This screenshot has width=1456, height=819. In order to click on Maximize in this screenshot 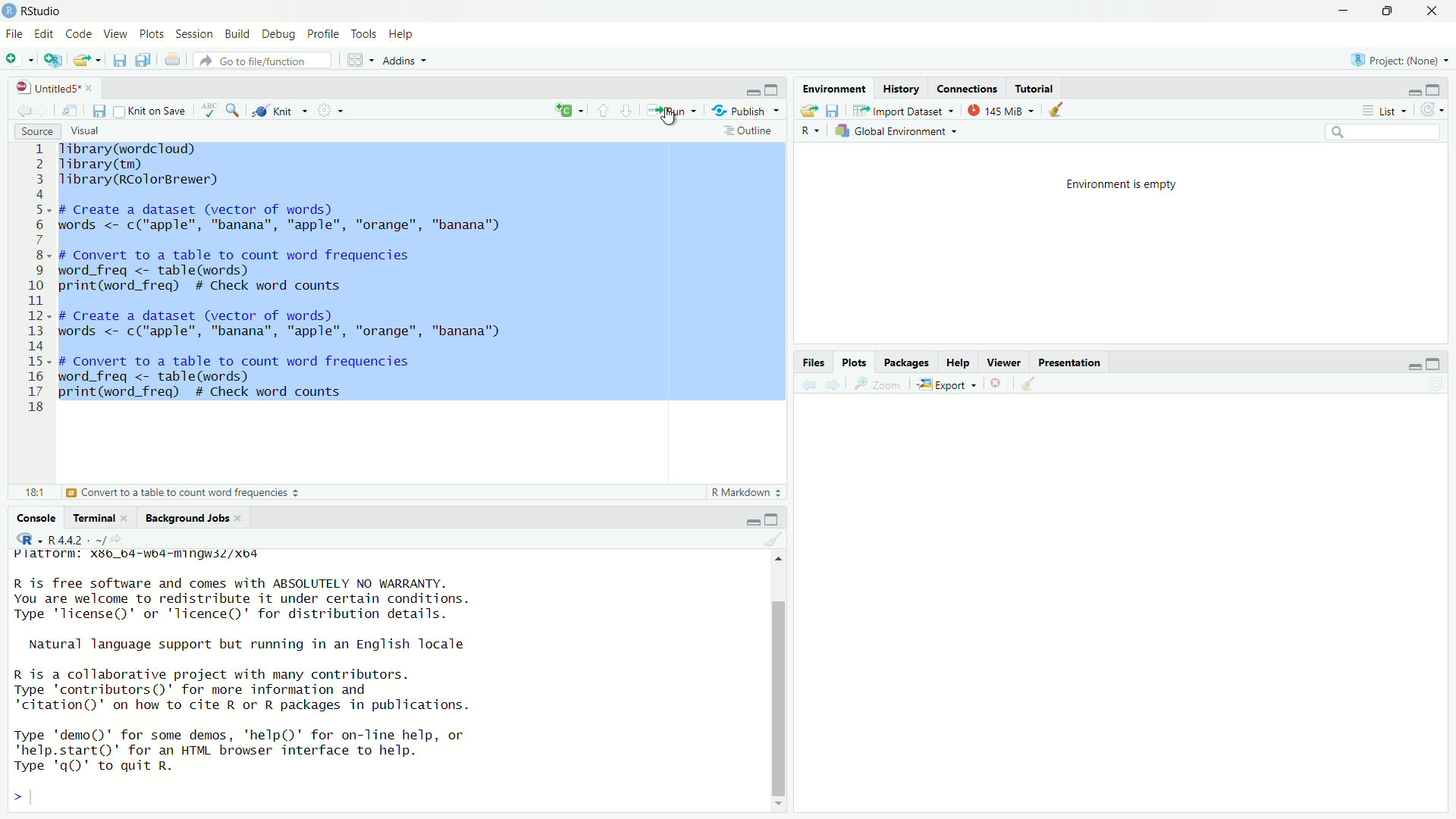, I will do `click(1389, 12)`.